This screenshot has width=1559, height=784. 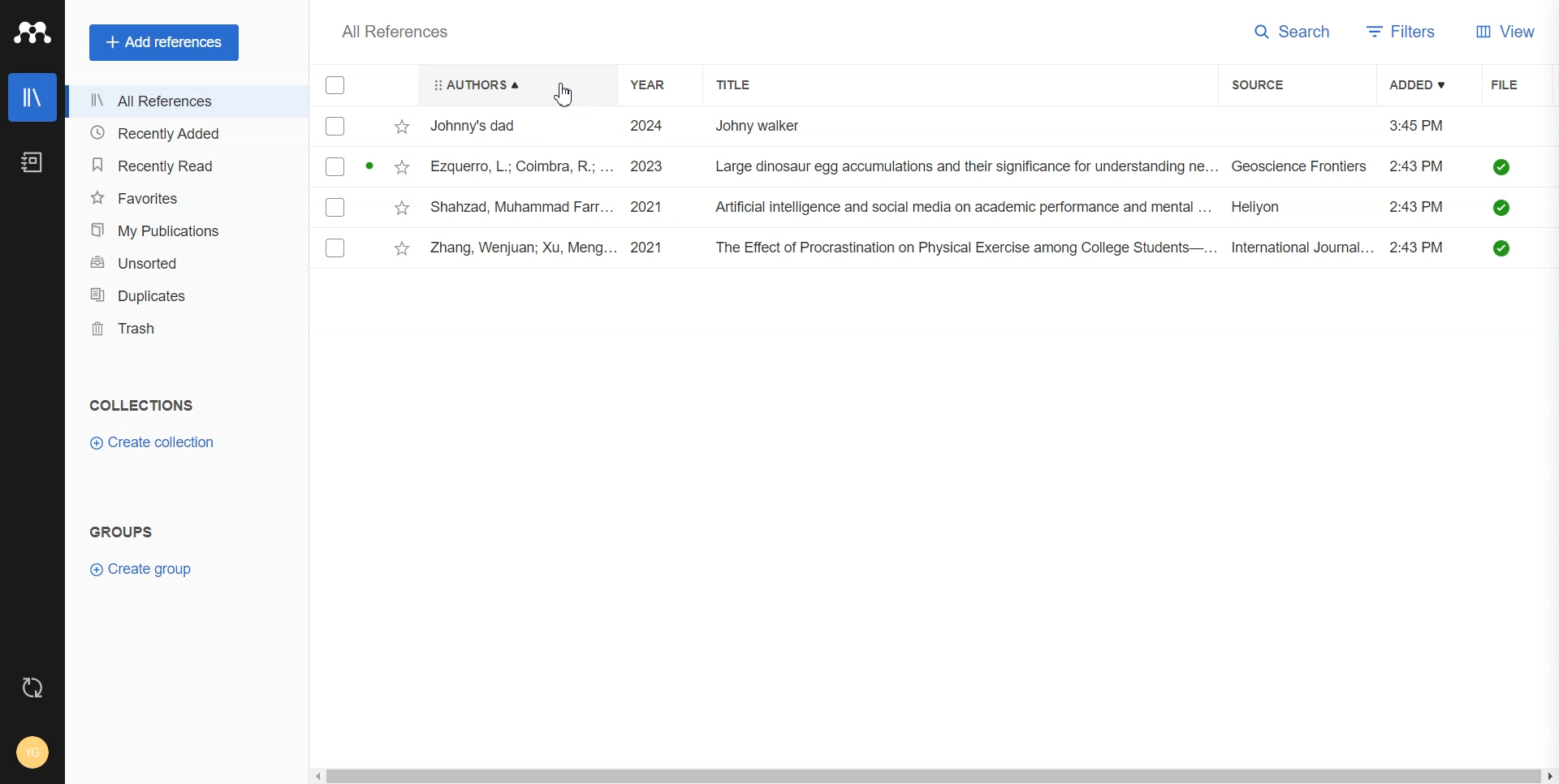 I want to click on All Reference, so click(x=389, y=31).